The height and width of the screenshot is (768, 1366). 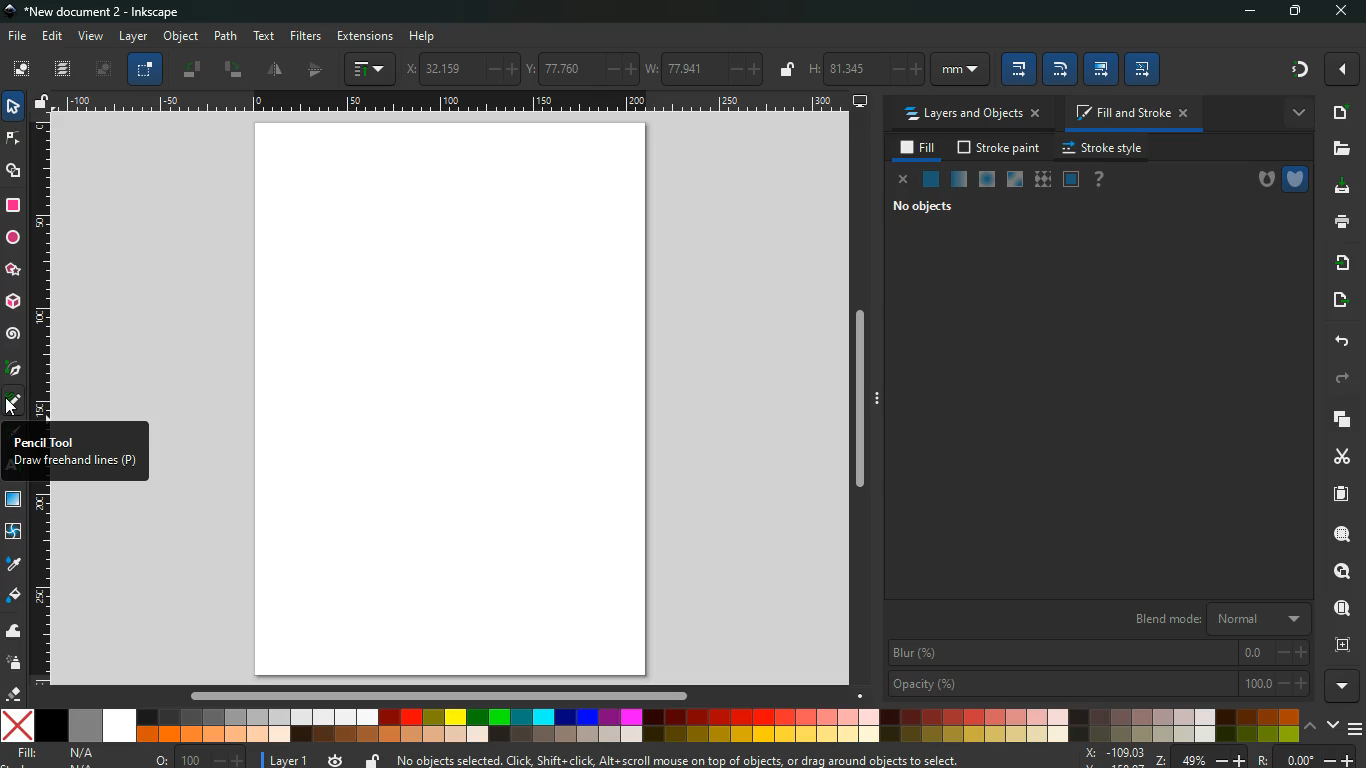 What do you see at coordinates (1342, 296) in the screenshot?
I see `send` at bounding box center [1342, 296].